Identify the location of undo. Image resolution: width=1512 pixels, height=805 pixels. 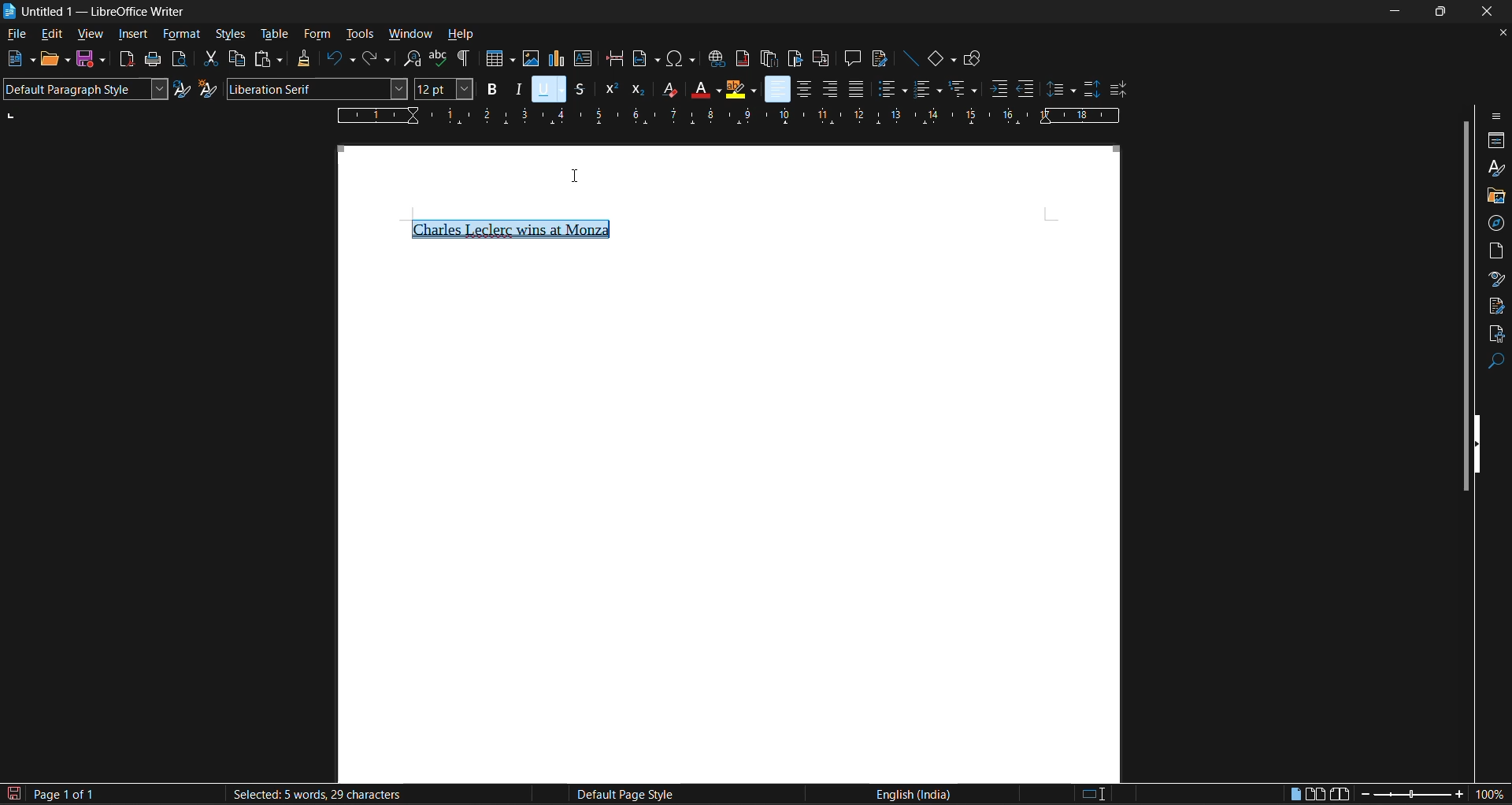
(338, 58).